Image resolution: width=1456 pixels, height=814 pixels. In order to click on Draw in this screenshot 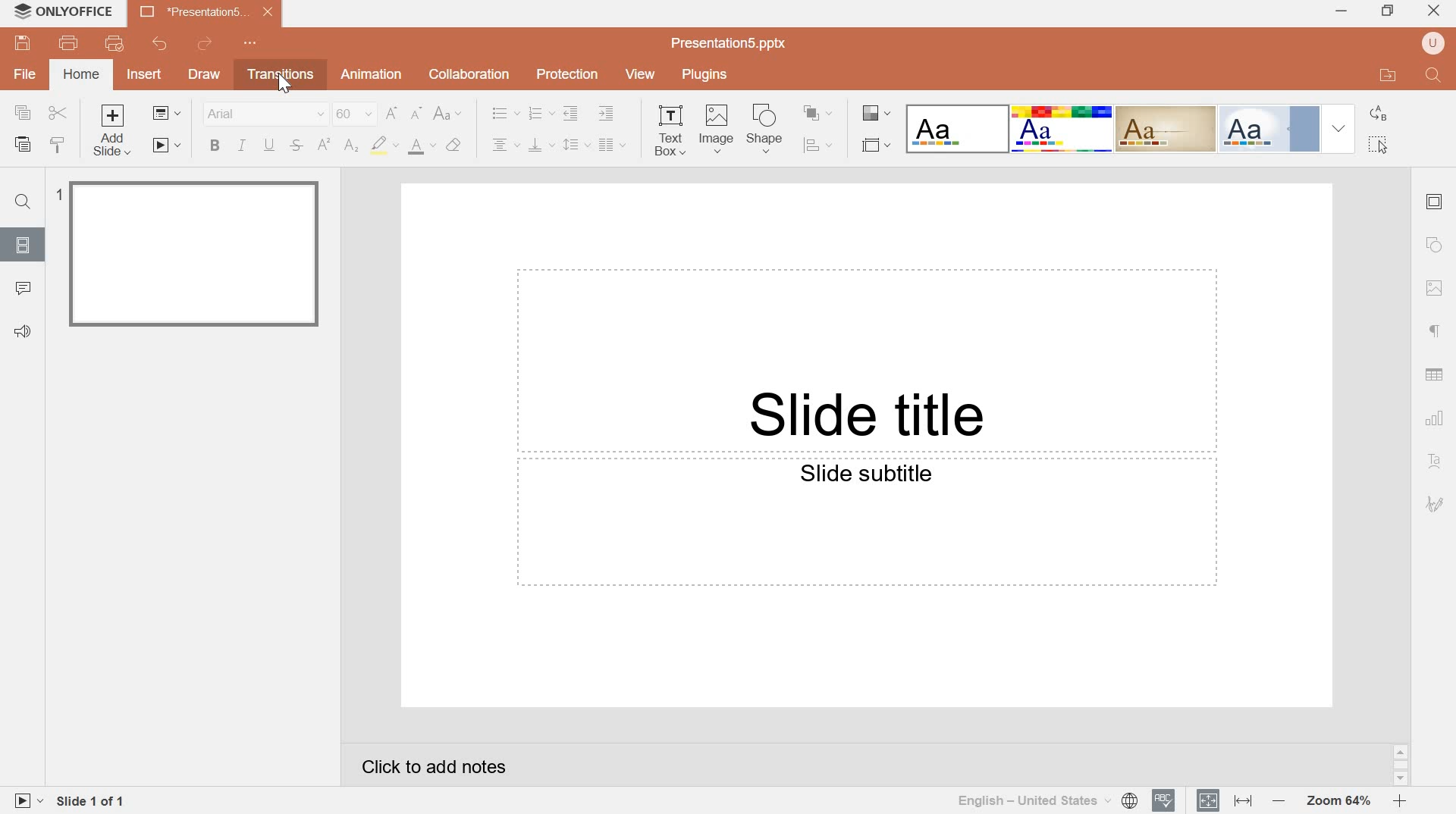, I will do `click(204, 76)`.